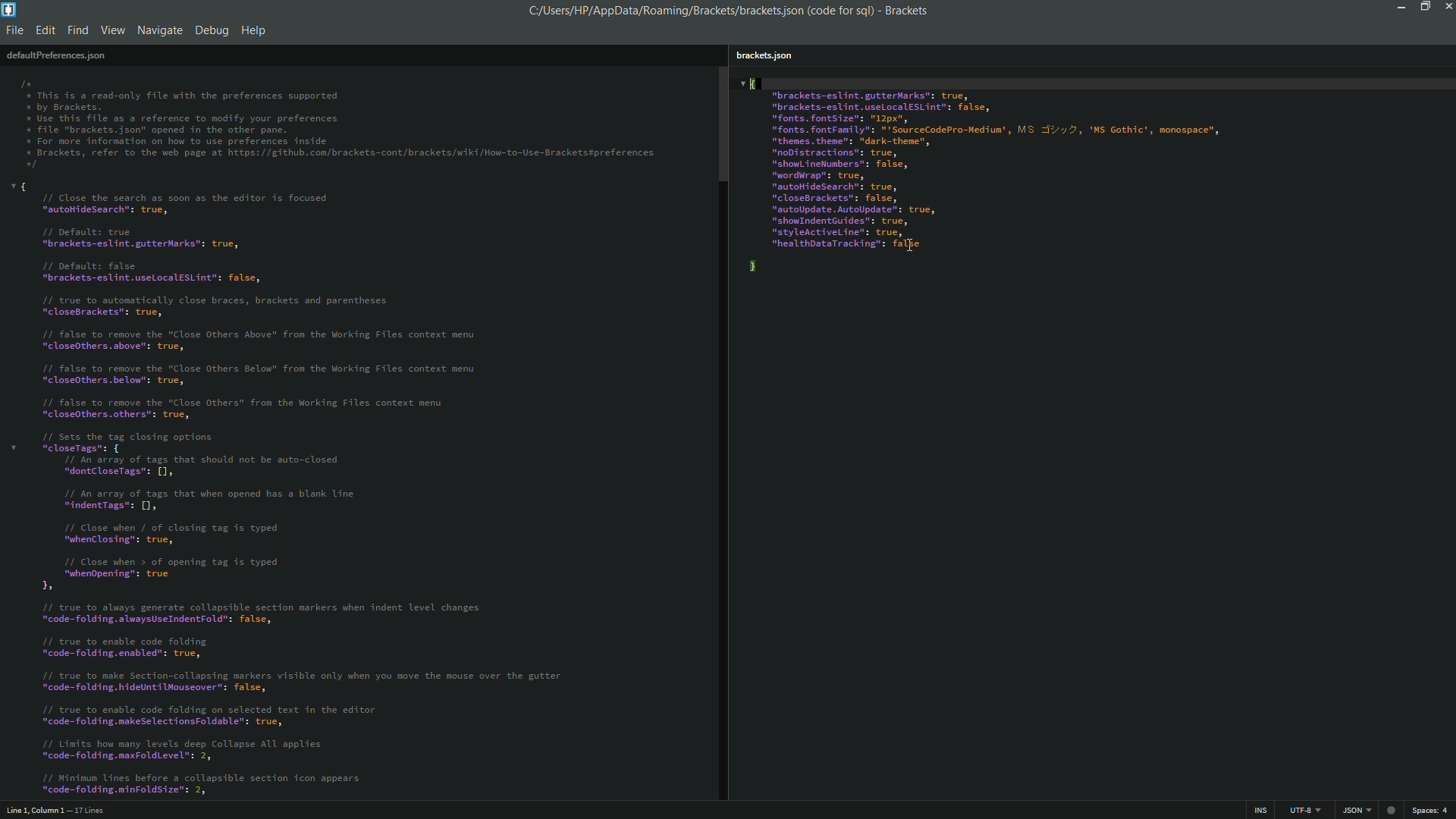  Describe the element at coordinates (112, 32) in the screenshot. I see `View menu` at that location.